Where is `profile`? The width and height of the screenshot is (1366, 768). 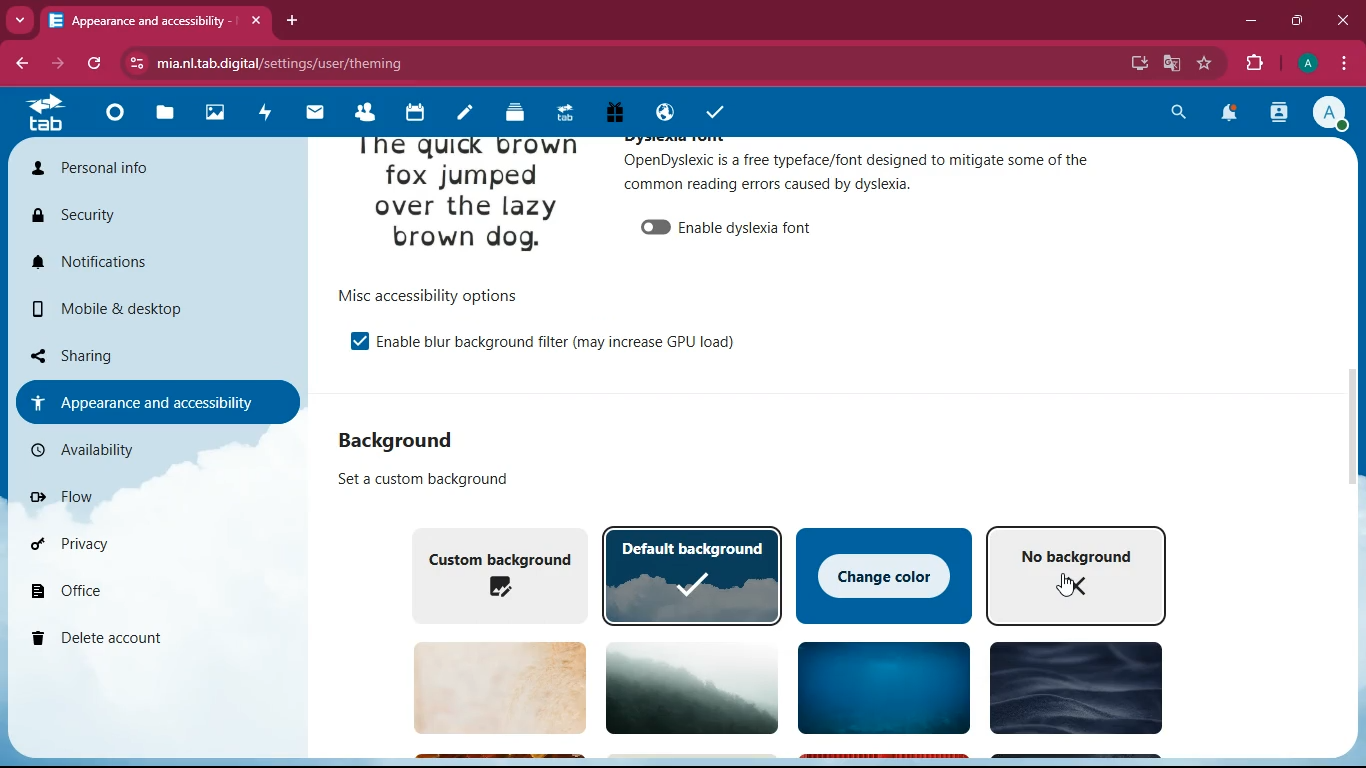 profile is located at coordinates (1306, 64).